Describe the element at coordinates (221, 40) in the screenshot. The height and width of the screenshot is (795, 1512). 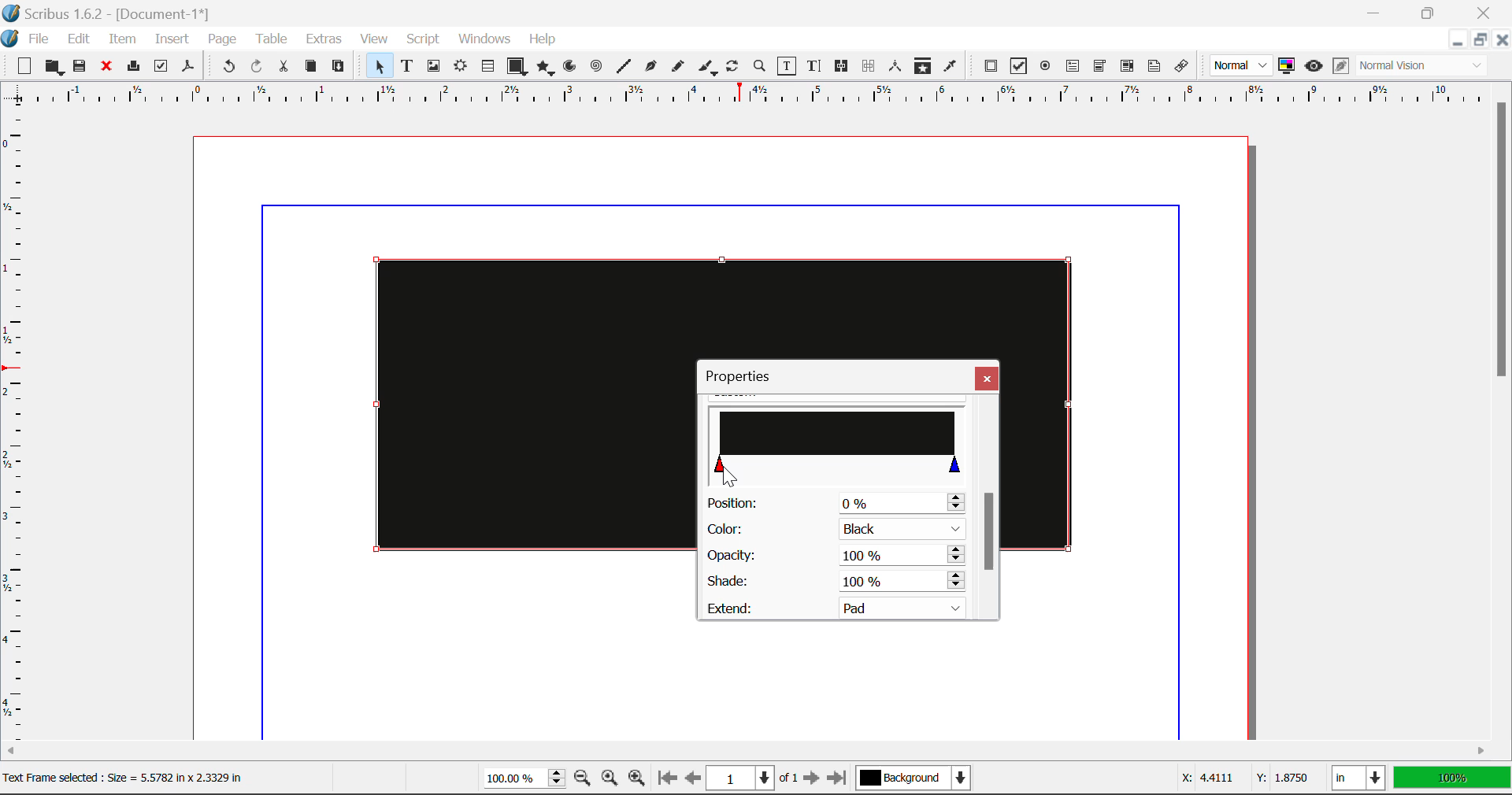
I see `Page` at that location.